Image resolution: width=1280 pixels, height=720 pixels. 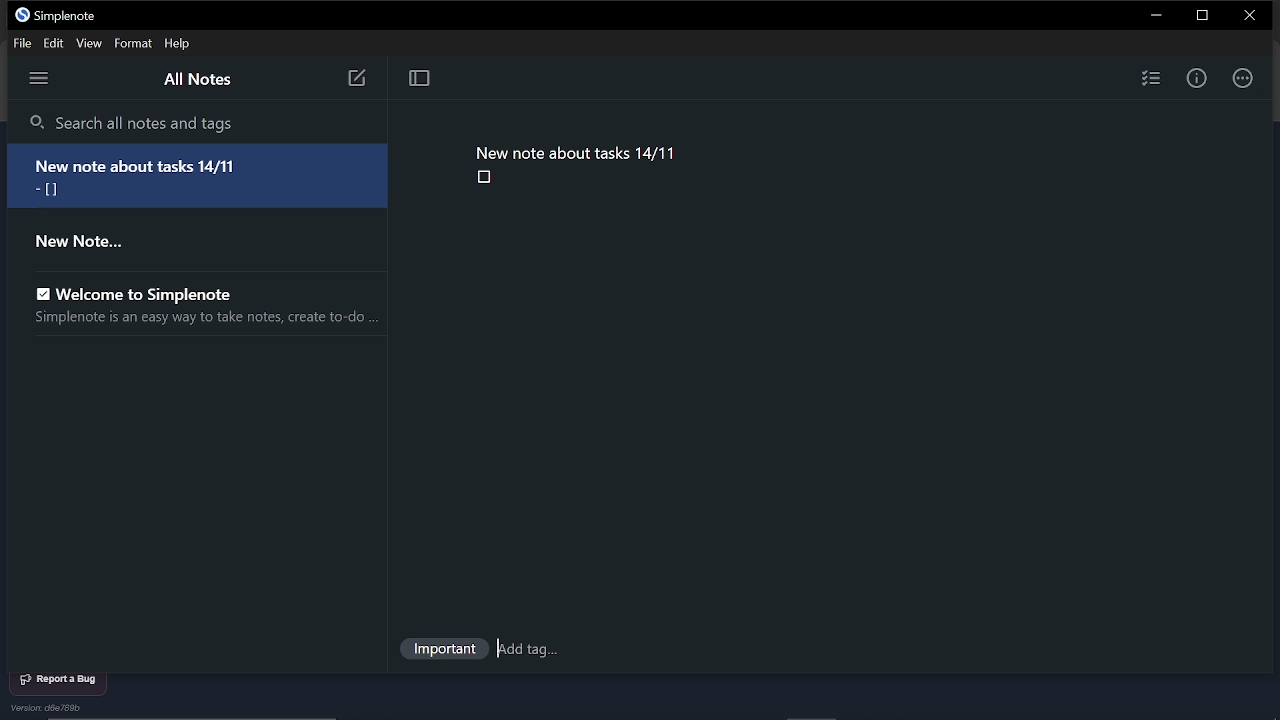 I want to click on New note about tasks 14/11, so click(x=577, y=151).